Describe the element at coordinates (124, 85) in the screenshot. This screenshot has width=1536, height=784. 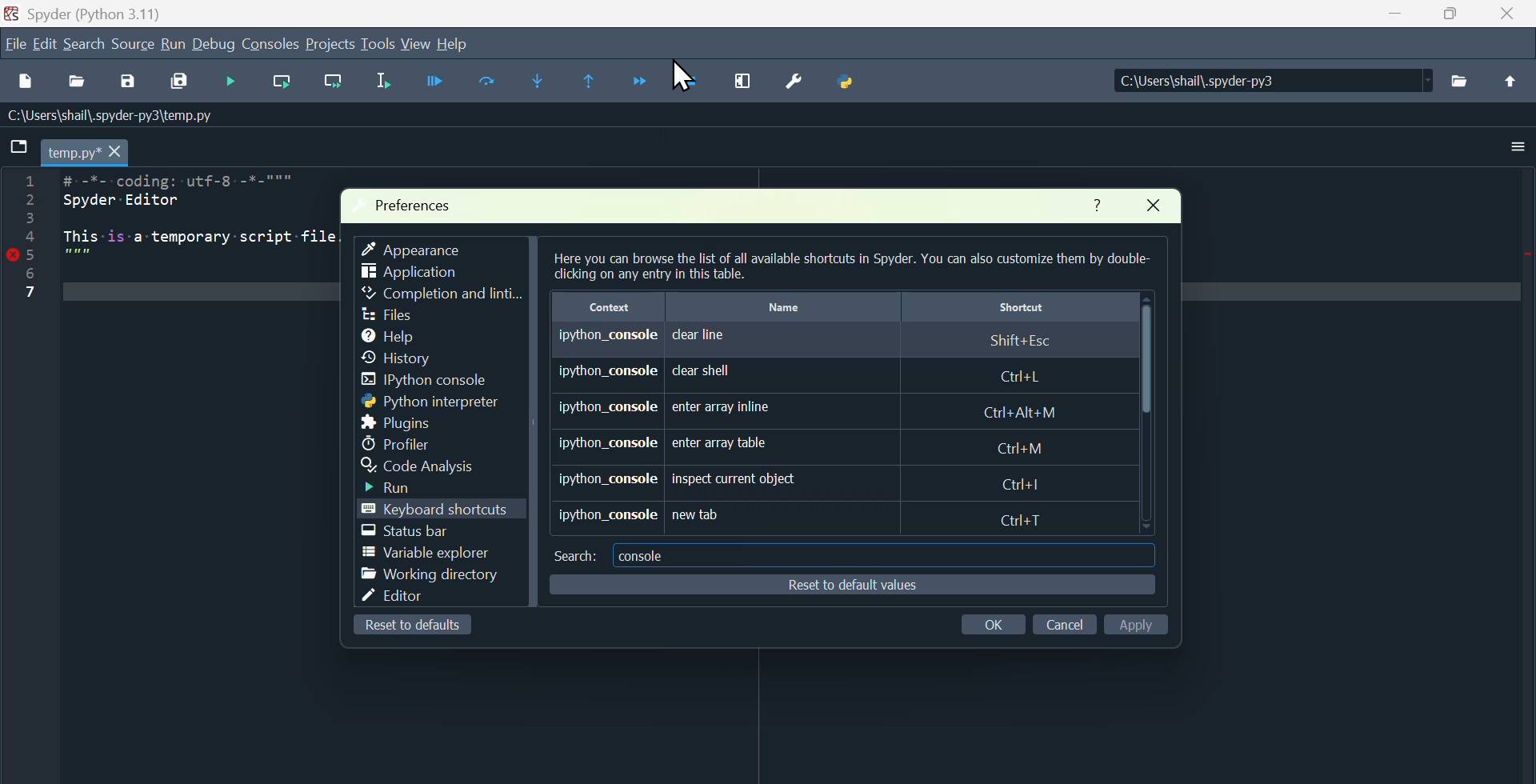
I see `Save as` at that location.